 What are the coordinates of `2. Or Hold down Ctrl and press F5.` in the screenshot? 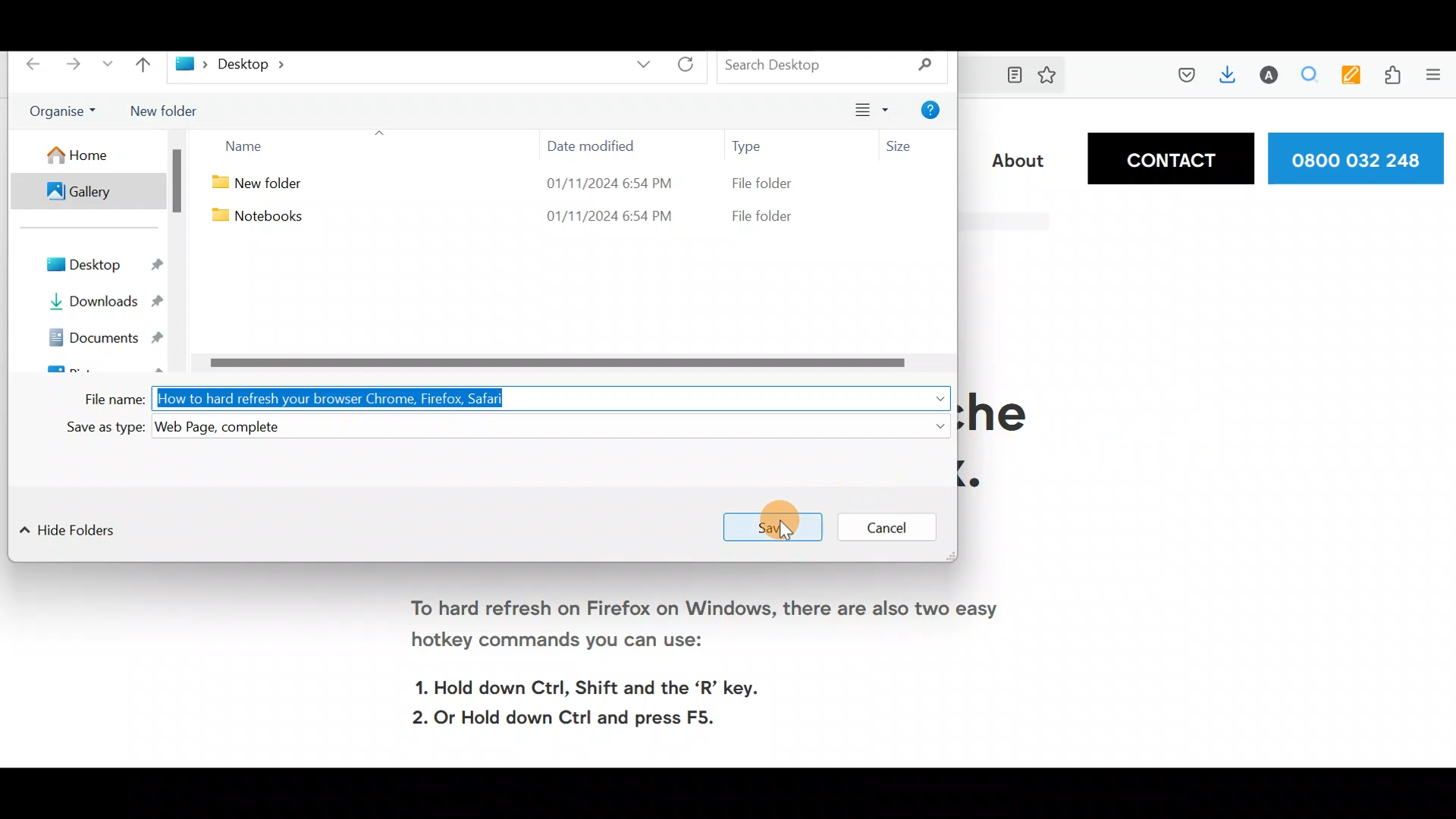 It's located at (573, 717).